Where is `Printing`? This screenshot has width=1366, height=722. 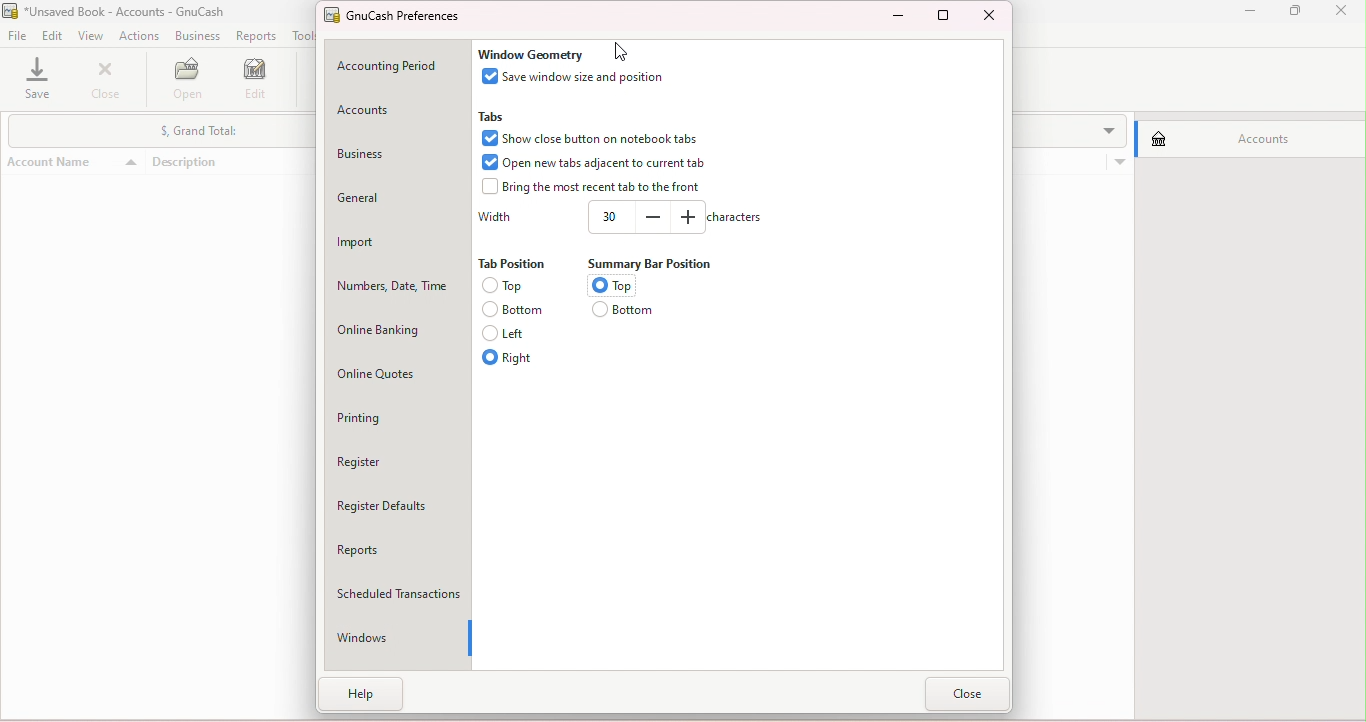
Printing is located at coordinates (398, 417).